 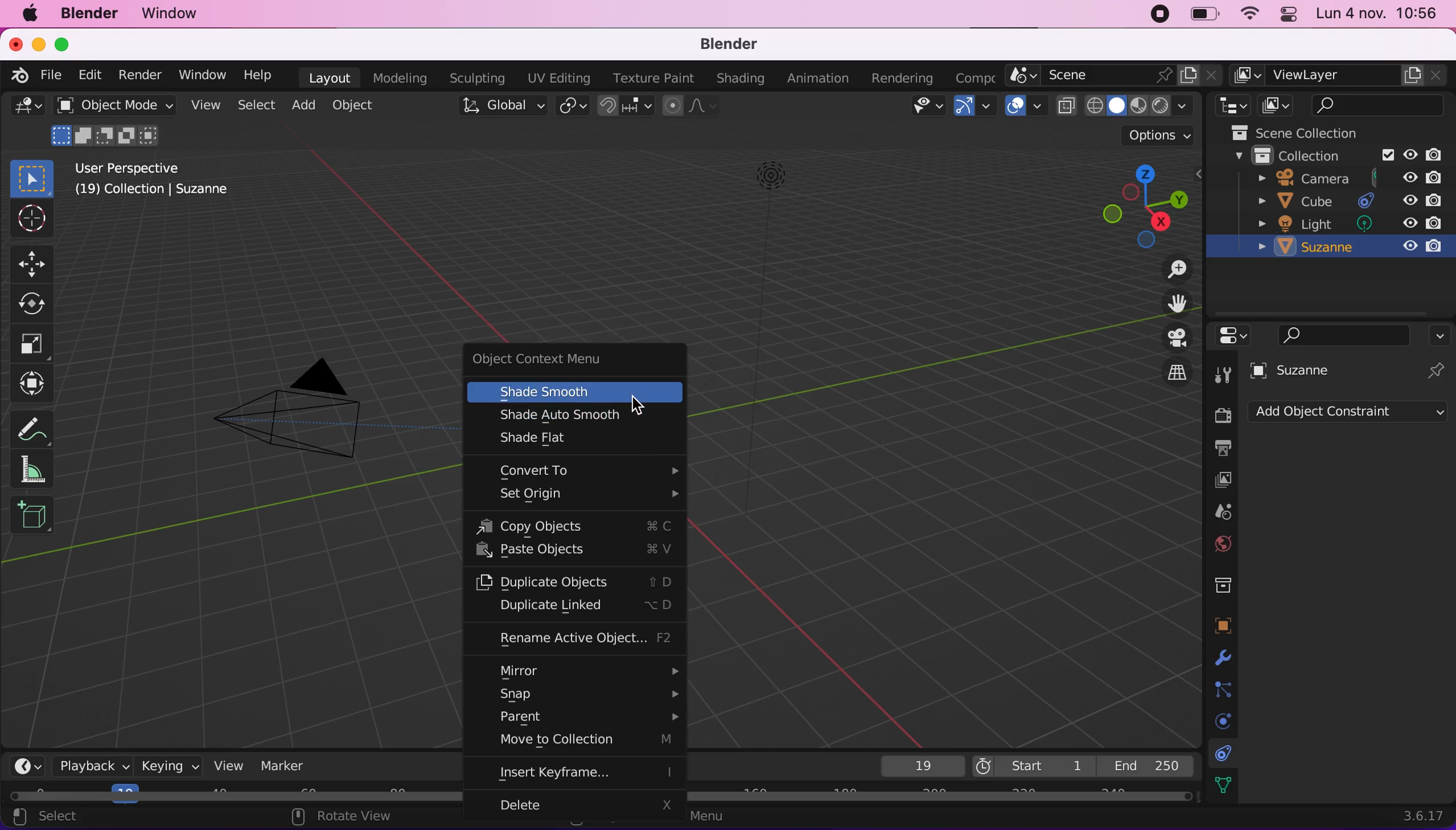 What do you see at coordinates (1345, 178) in the screenshot?
I see `camera` at bounding box center [1345, 178].